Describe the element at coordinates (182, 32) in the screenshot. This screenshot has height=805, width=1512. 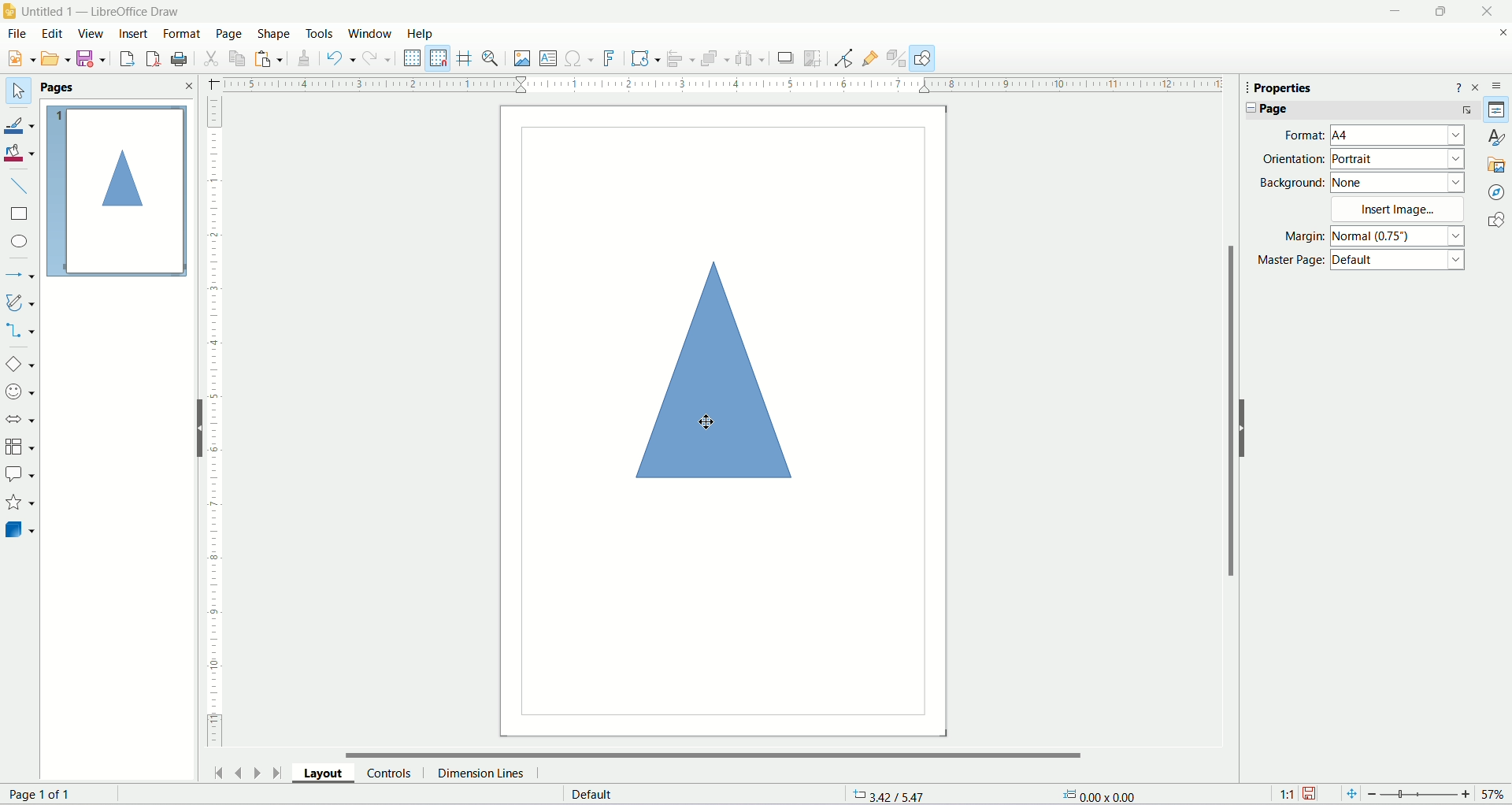
I see `Format` at that location.